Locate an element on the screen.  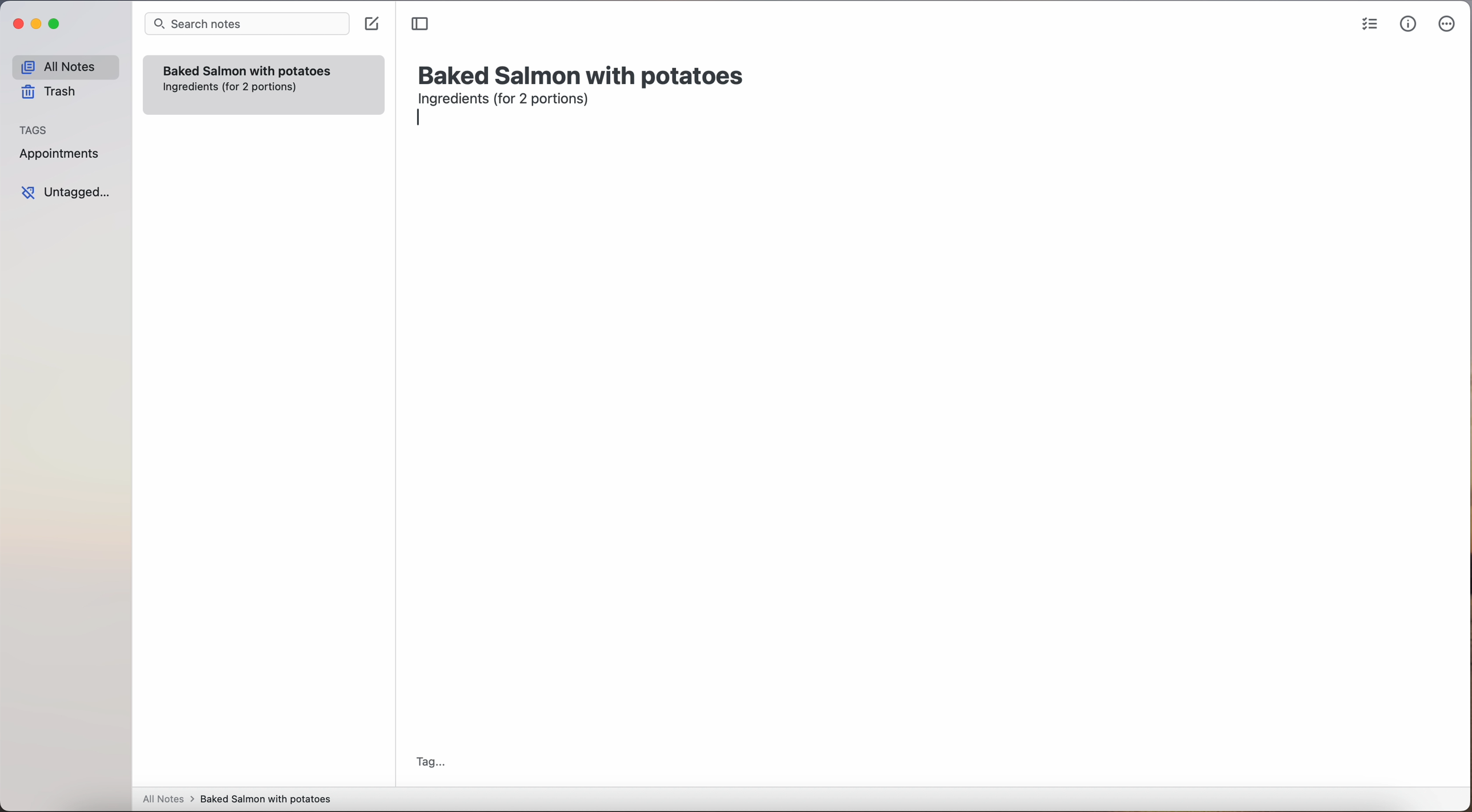
Baked Salmon with potatoes is located at coordinates (247, 69).